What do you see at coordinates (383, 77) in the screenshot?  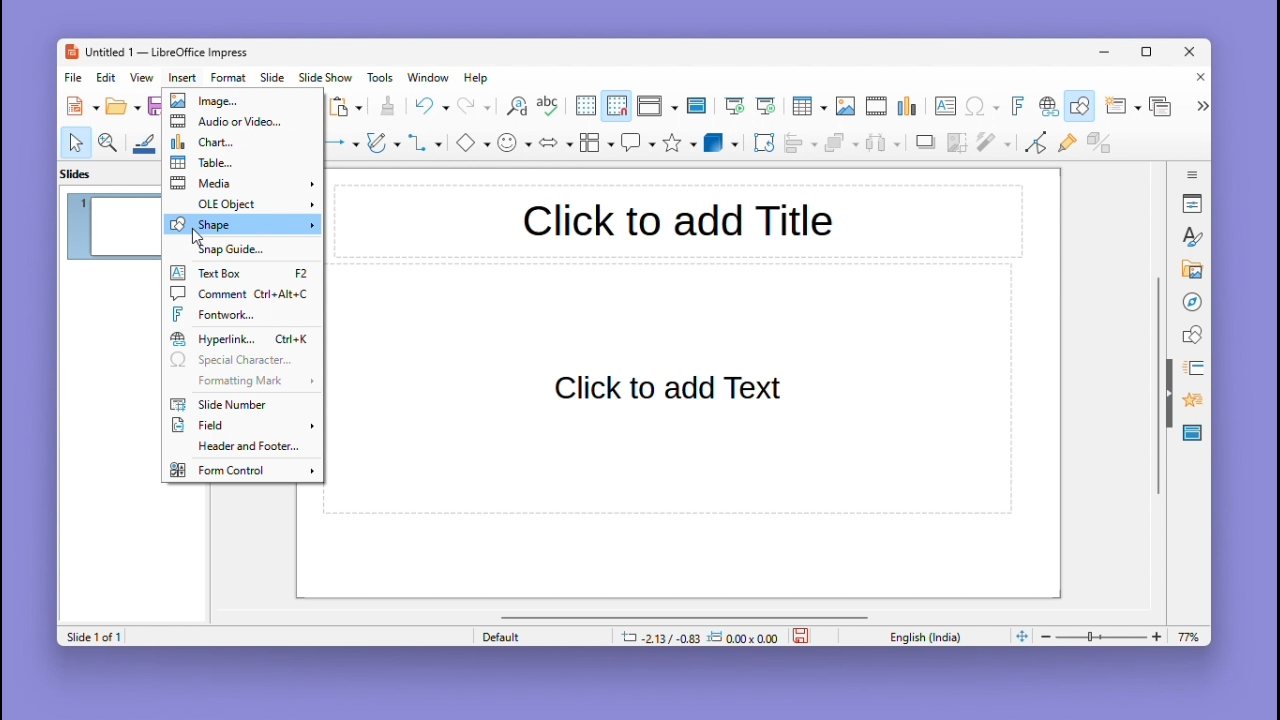 I see `Tools` at bounding box center [383, 77].